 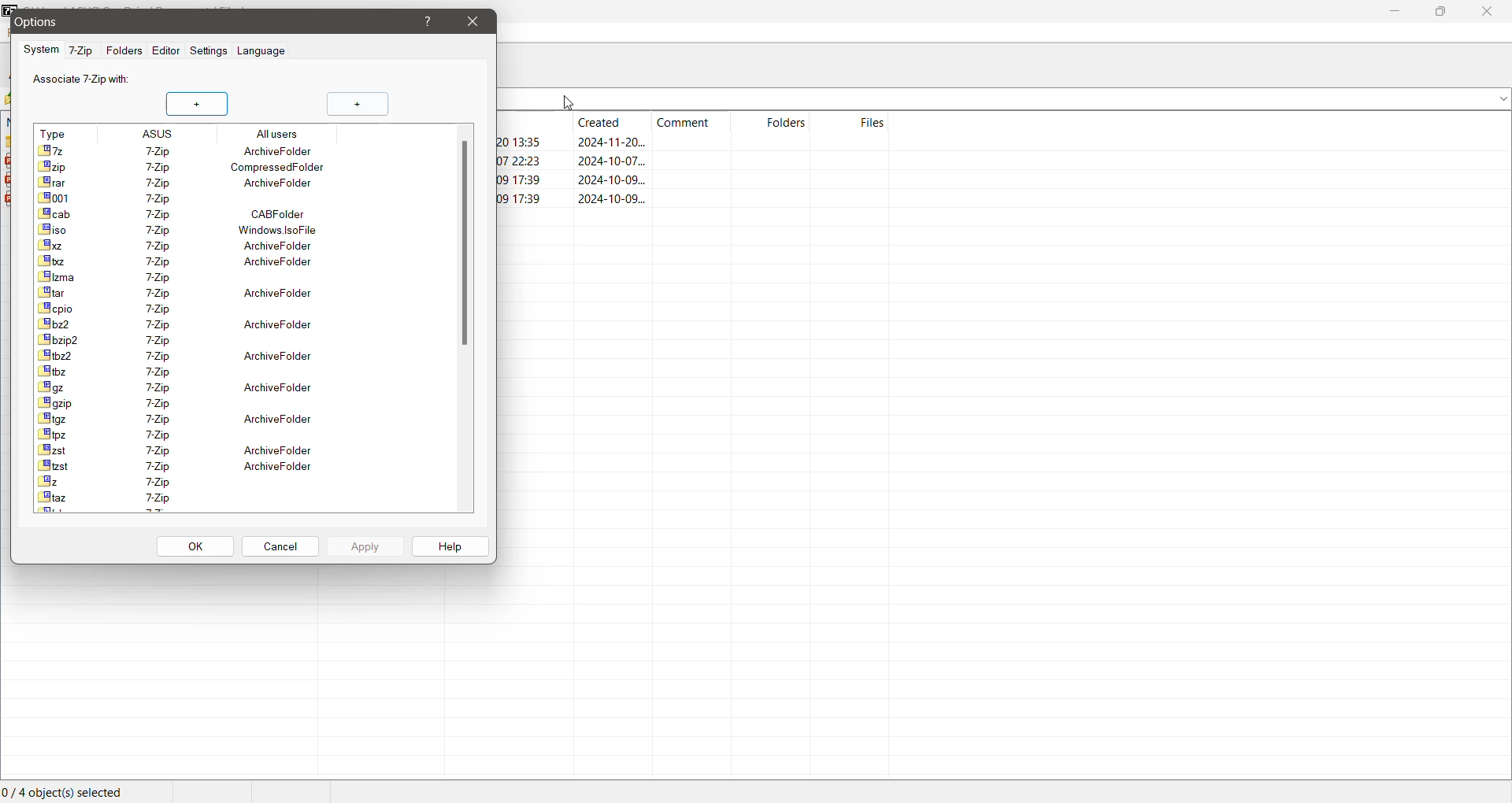 What do you see at coordinates (193, 230) in the screenshot?
I see `Windows folder` at bounding box center [193, 230].